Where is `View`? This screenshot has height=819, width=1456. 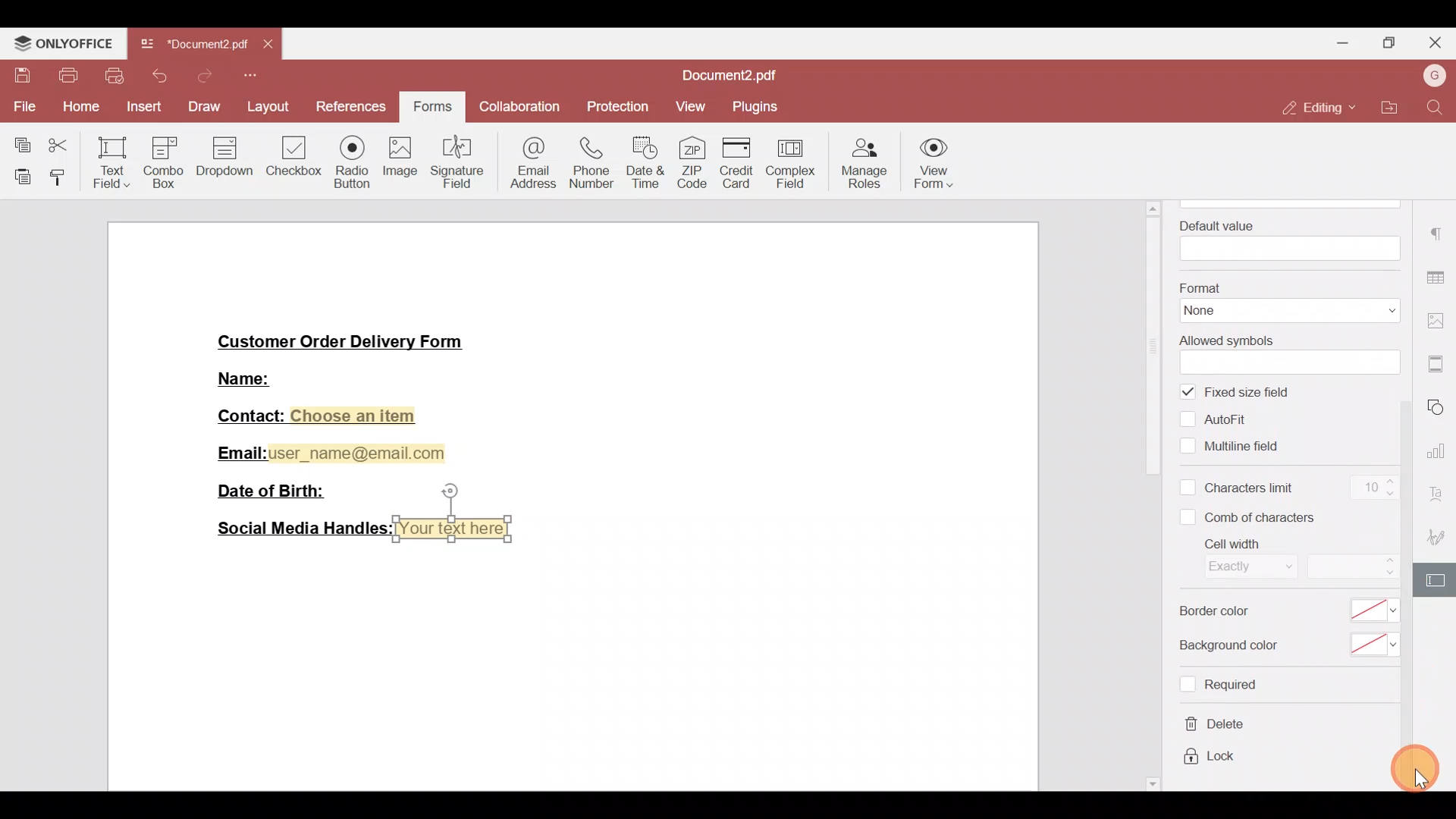
View is located at coordinates (689, 110).